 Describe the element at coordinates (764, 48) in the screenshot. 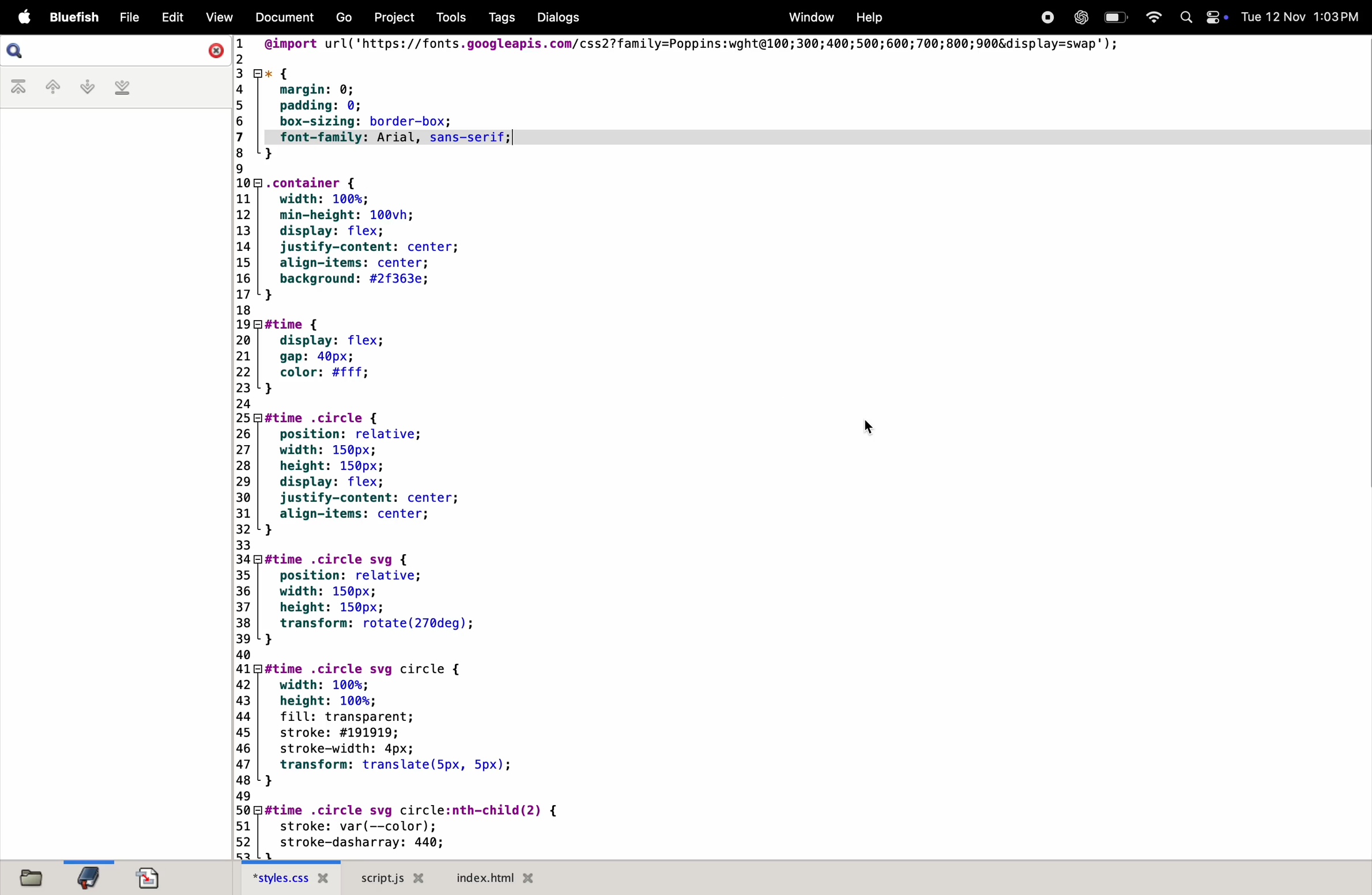

I see `url` at that location.